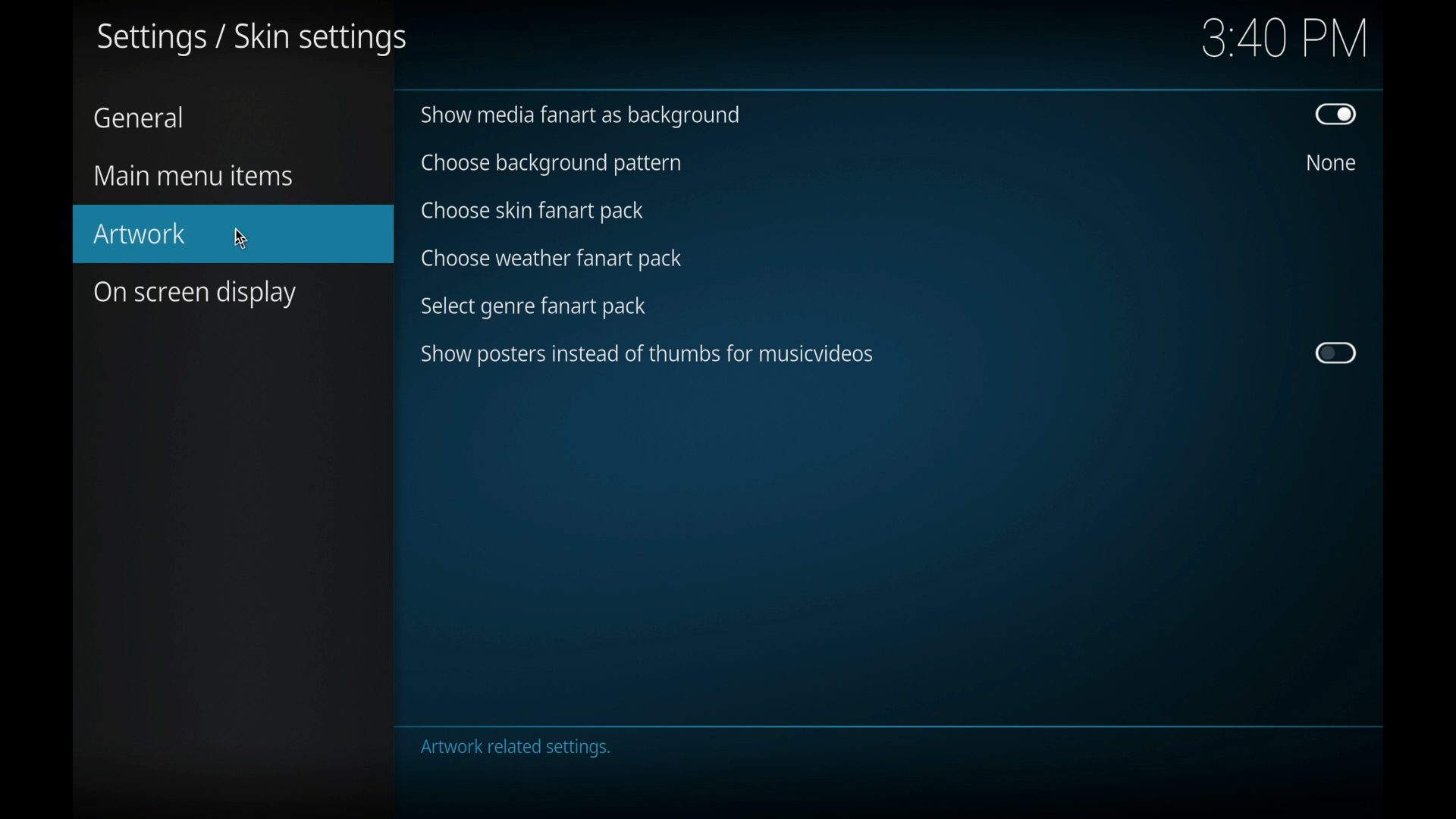 Image resolution: width=1456 pixels, height=819 pixels. What do you see at coordinates (138, 117) in the screenshot?
I see `general` at bounding box center [138, 117].